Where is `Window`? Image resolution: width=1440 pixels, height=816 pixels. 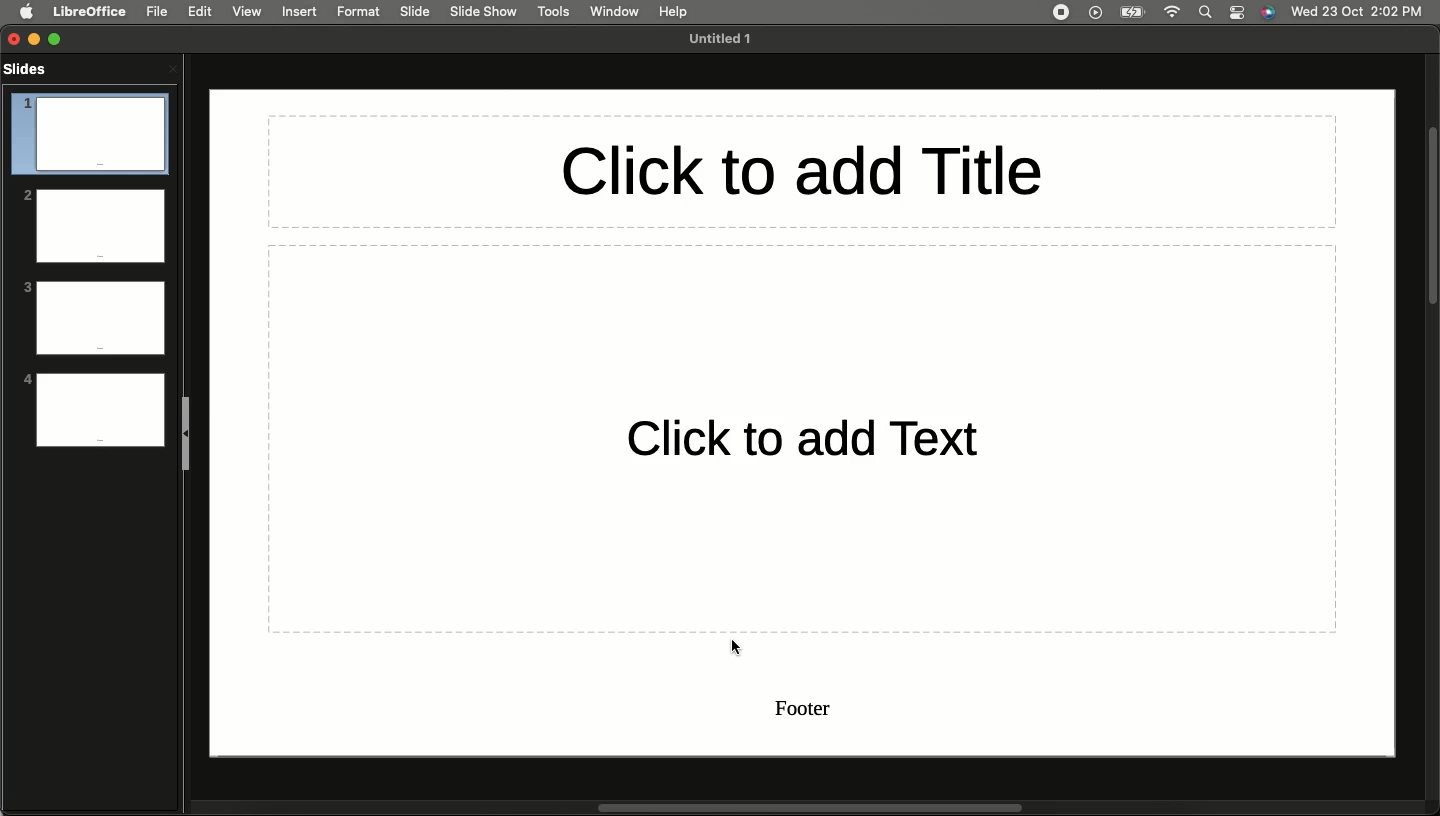 Window is located at coordinates (611, 11).